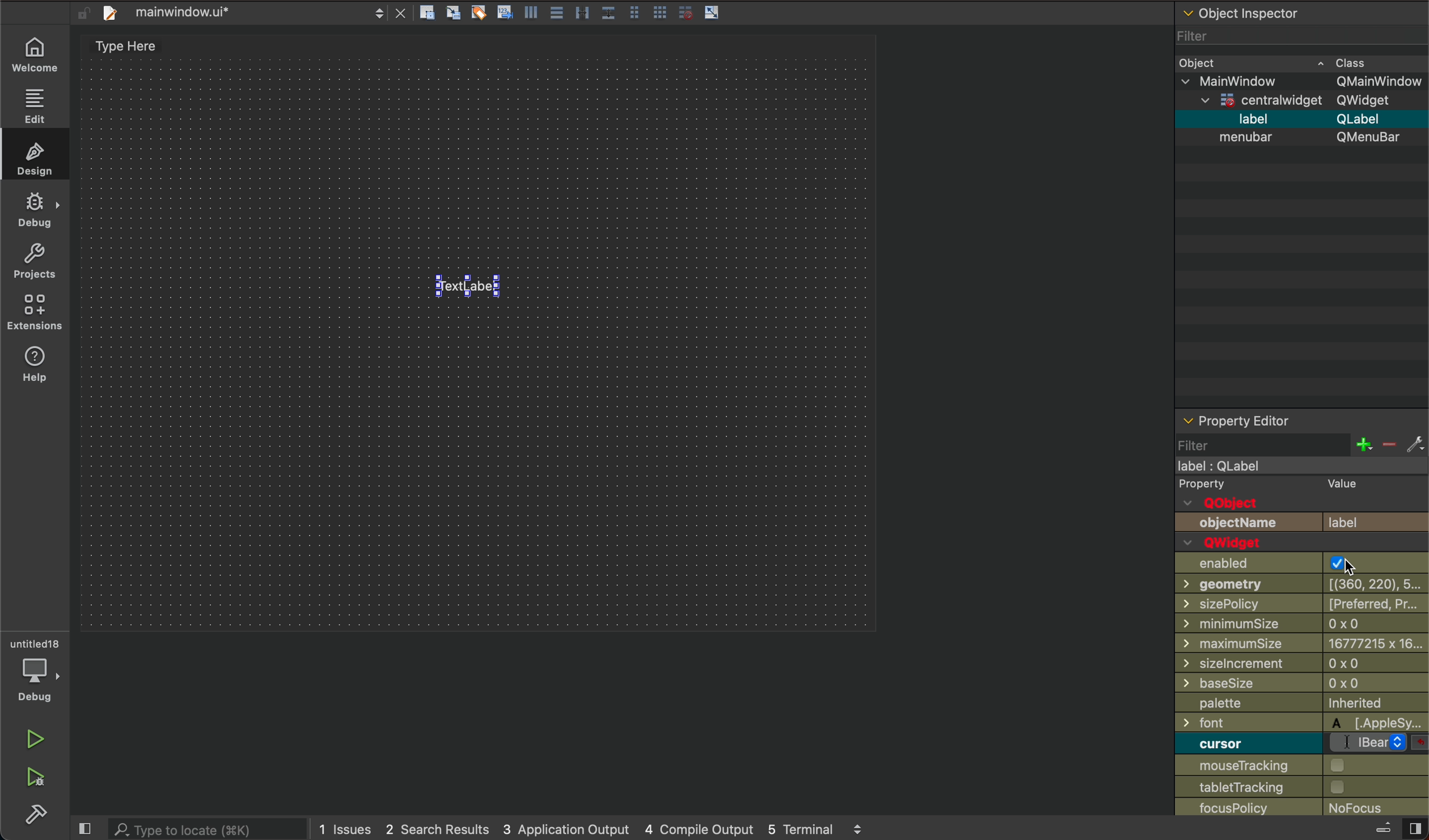 Image resolution: width=1429 pixels, height=840 pixels. What do you see at coordinates (88, 829) in the screenshot?
I see `close slide bar` at bounding box center [88, 829].